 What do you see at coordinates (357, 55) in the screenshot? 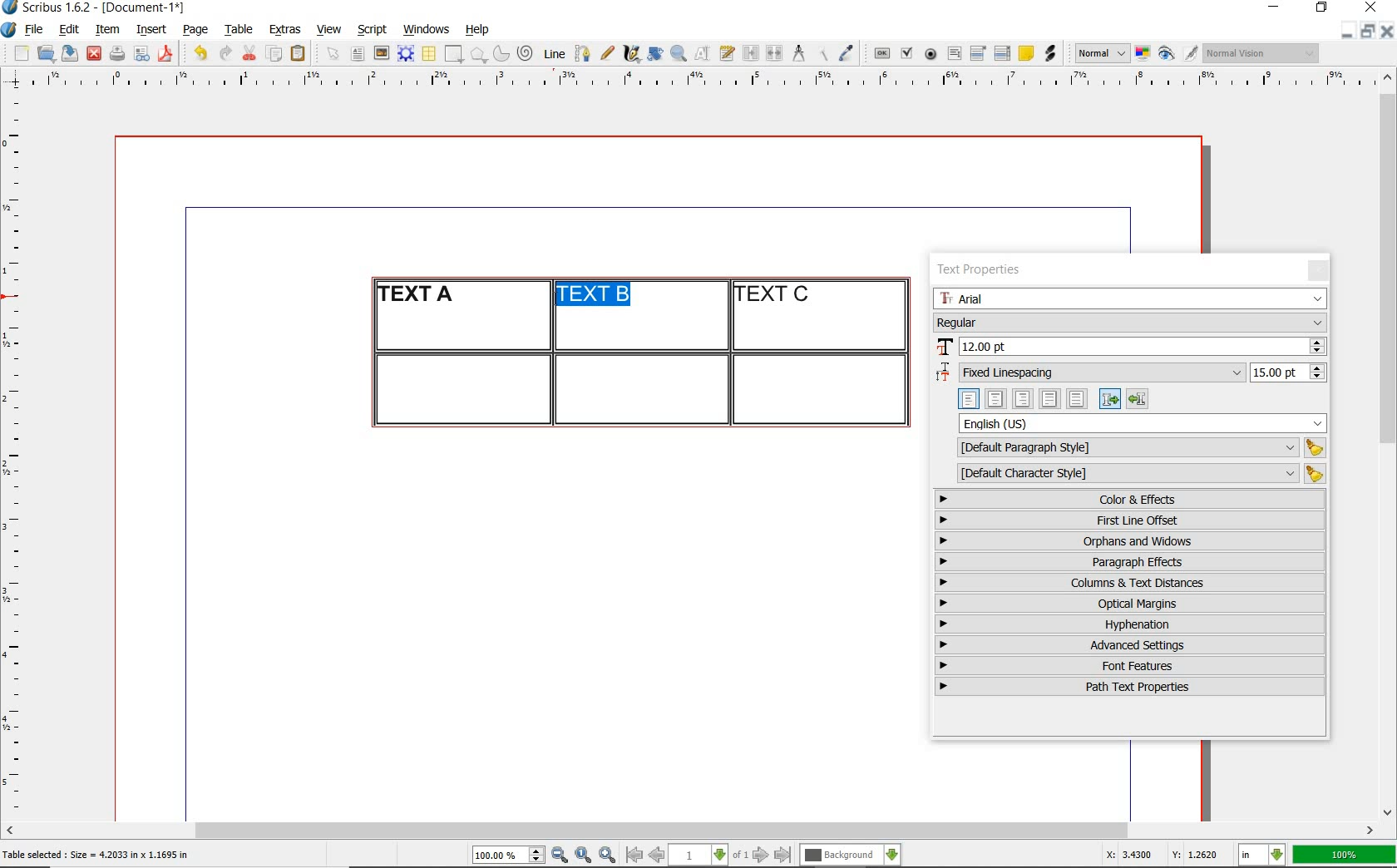
I see `text frame` at bounding box center [357, 55].